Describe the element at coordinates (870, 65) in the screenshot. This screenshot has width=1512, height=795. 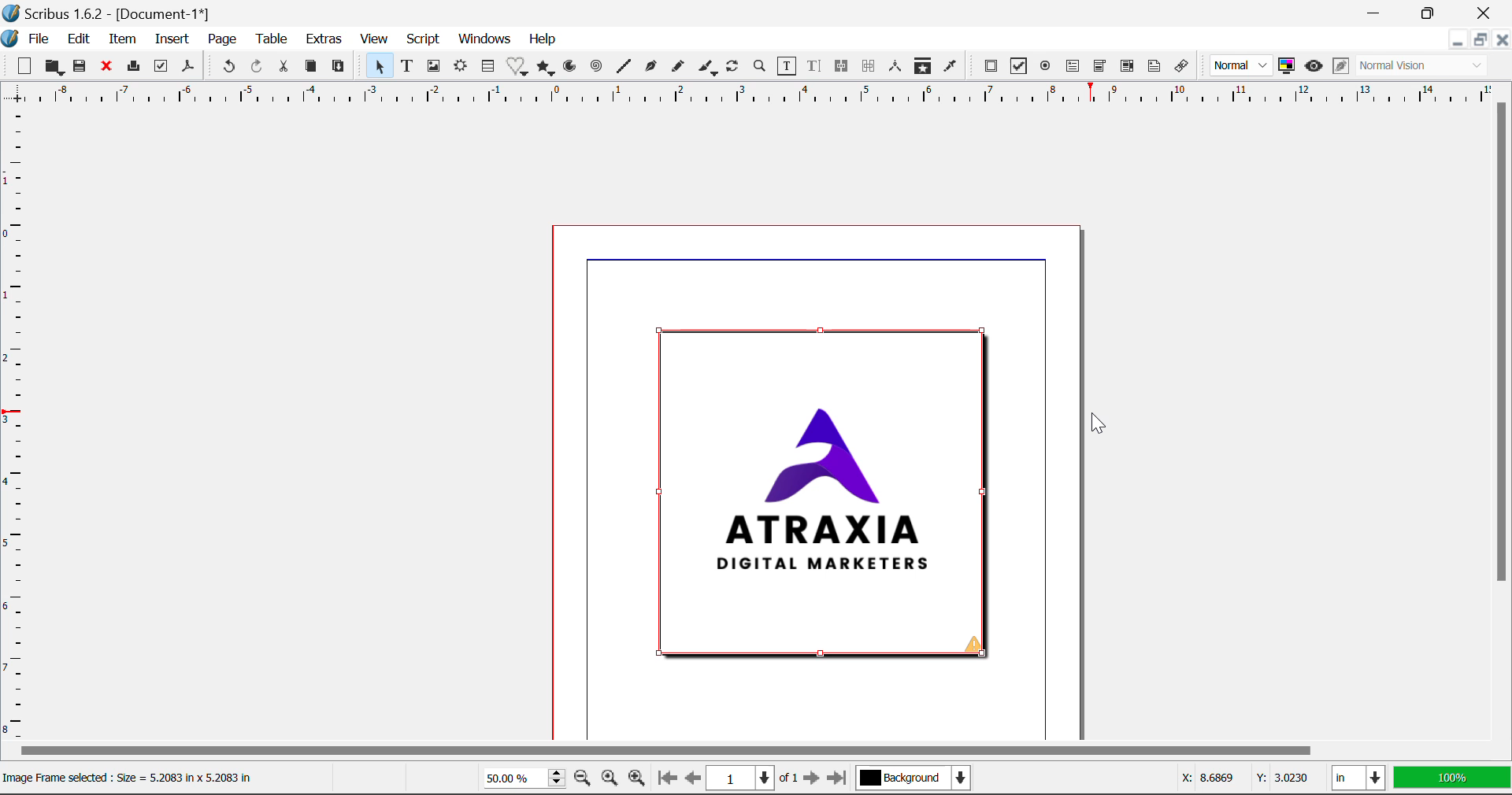
I see `Unlink Text Frames` at that location.